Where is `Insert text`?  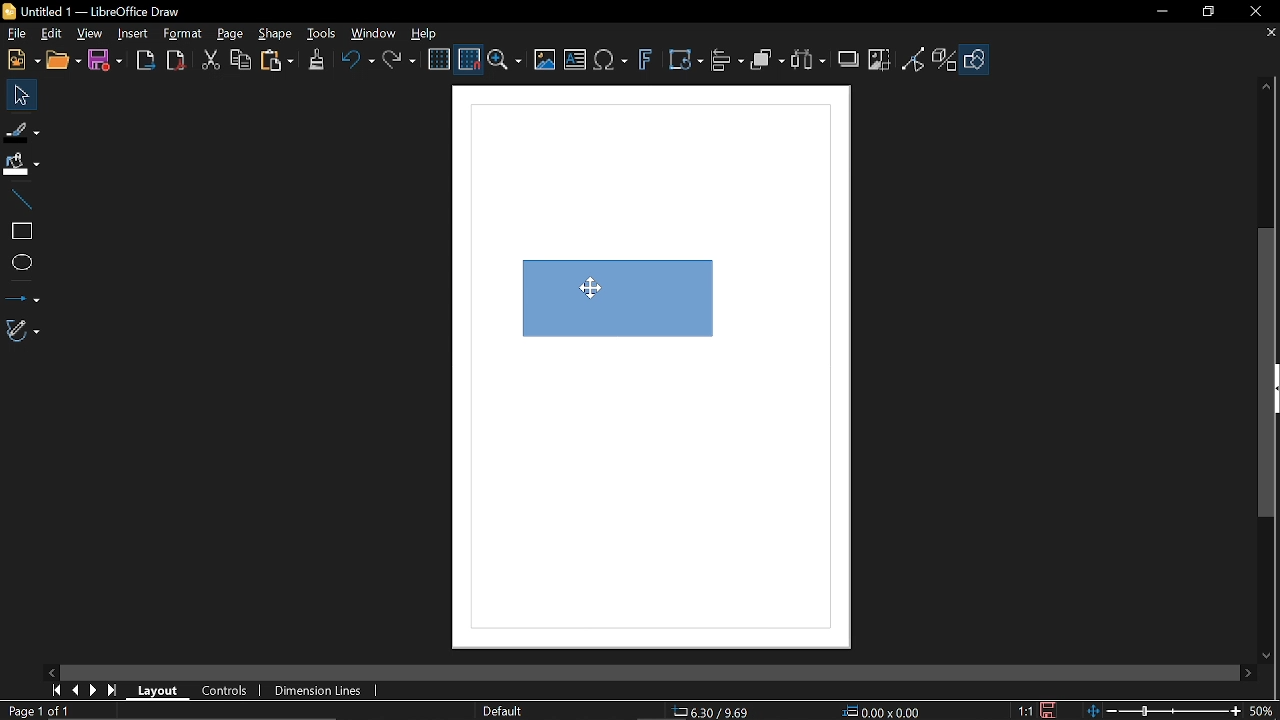
Insert text is located at coordinates (576, 61).